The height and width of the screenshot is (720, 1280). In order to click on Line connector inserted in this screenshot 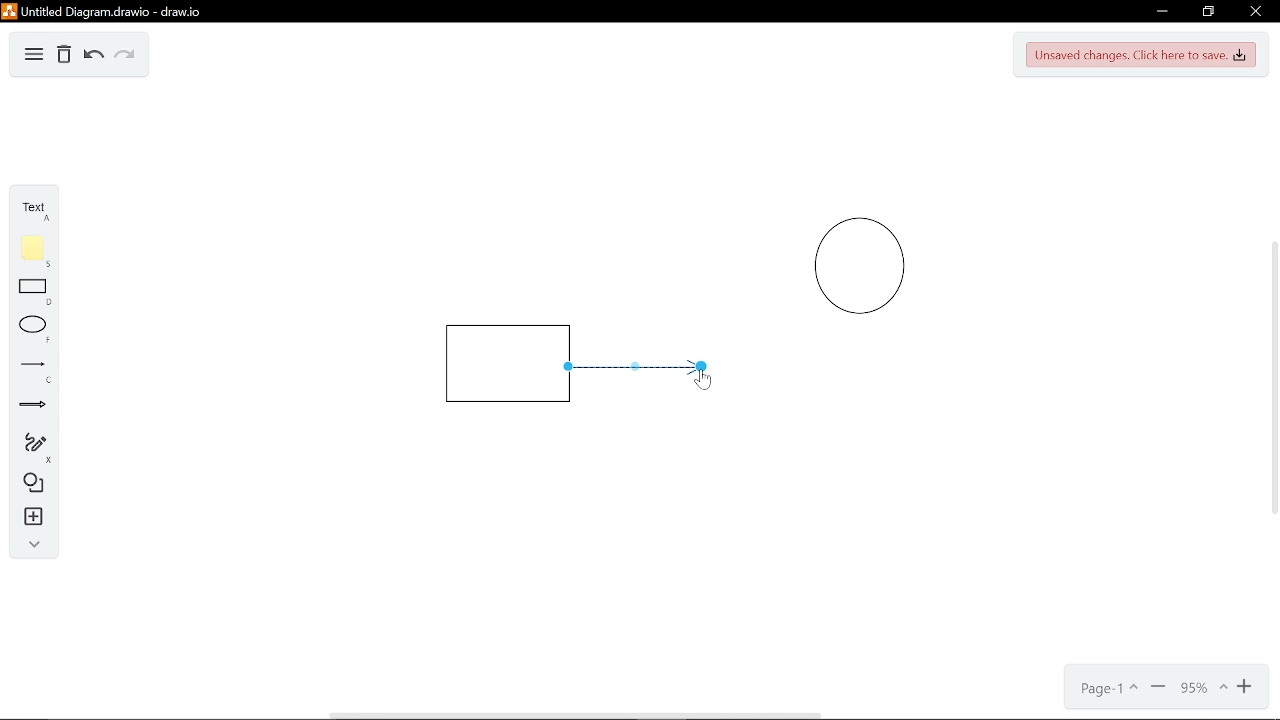, I will do `click(633, 363)`.